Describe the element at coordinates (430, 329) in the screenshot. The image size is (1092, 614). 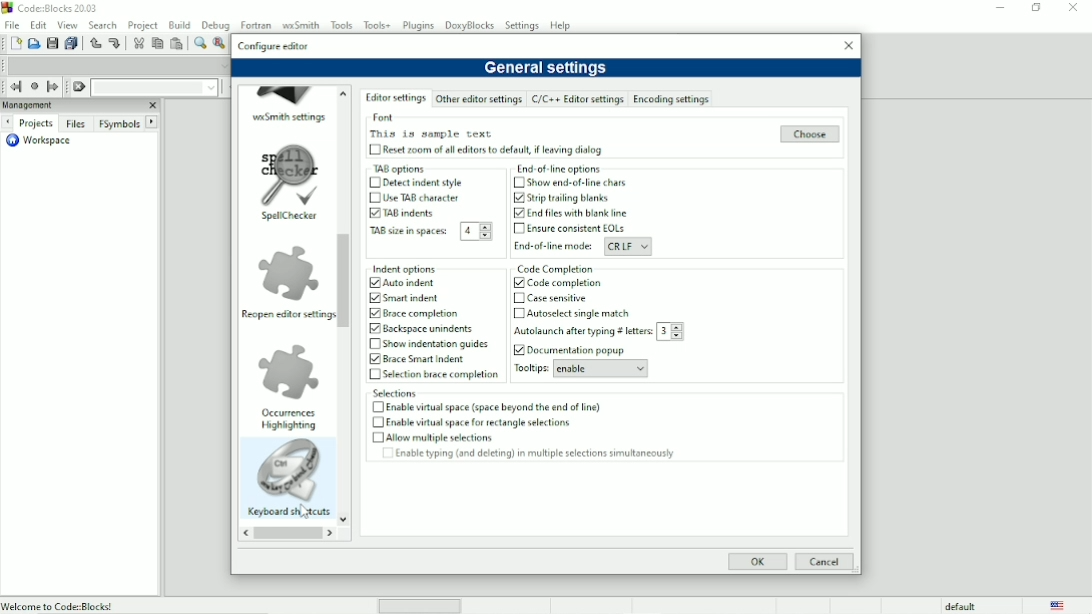
I see `Backspace urindents` at that location.